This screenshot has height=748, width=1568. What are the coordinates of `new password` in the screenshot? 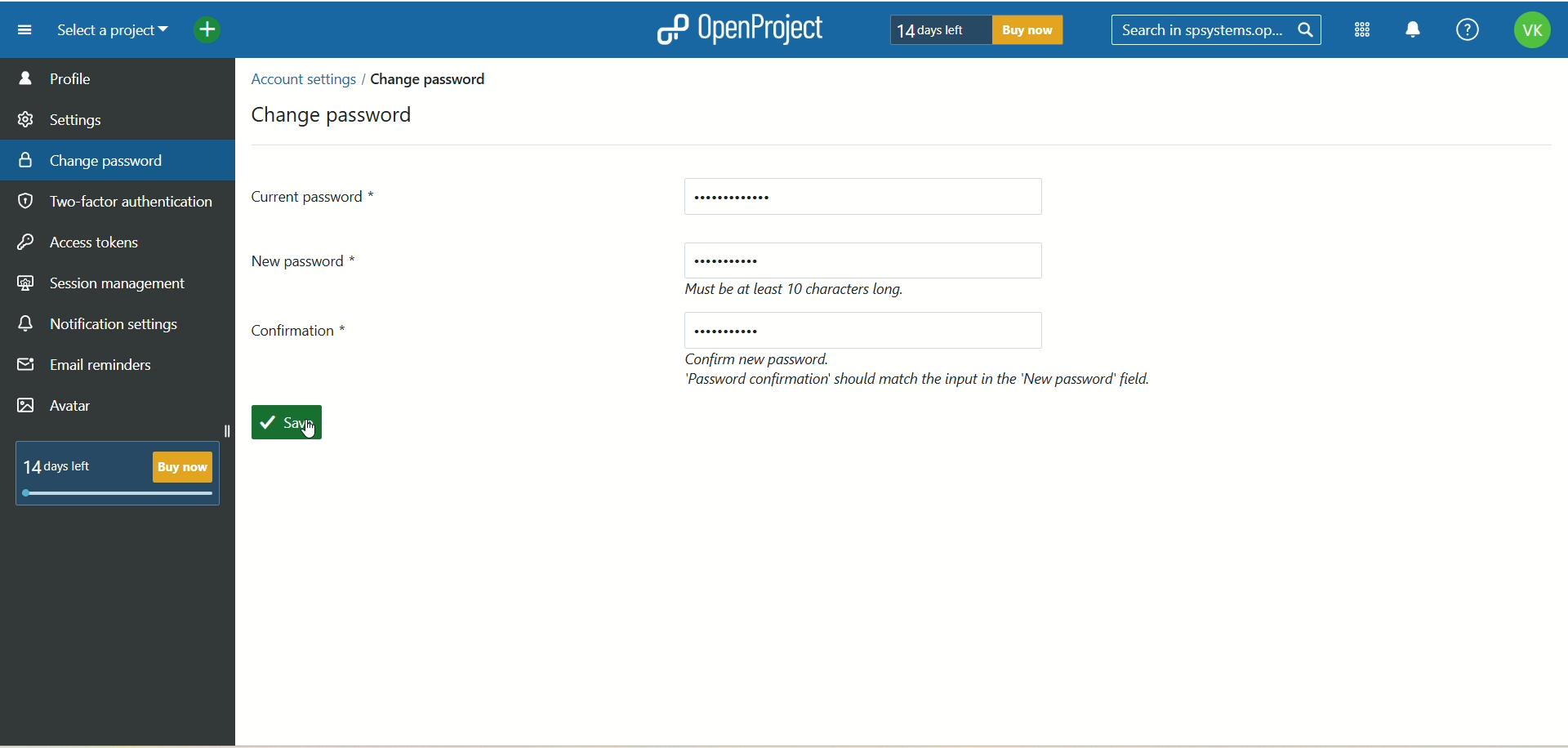 It's located at (312, 260).